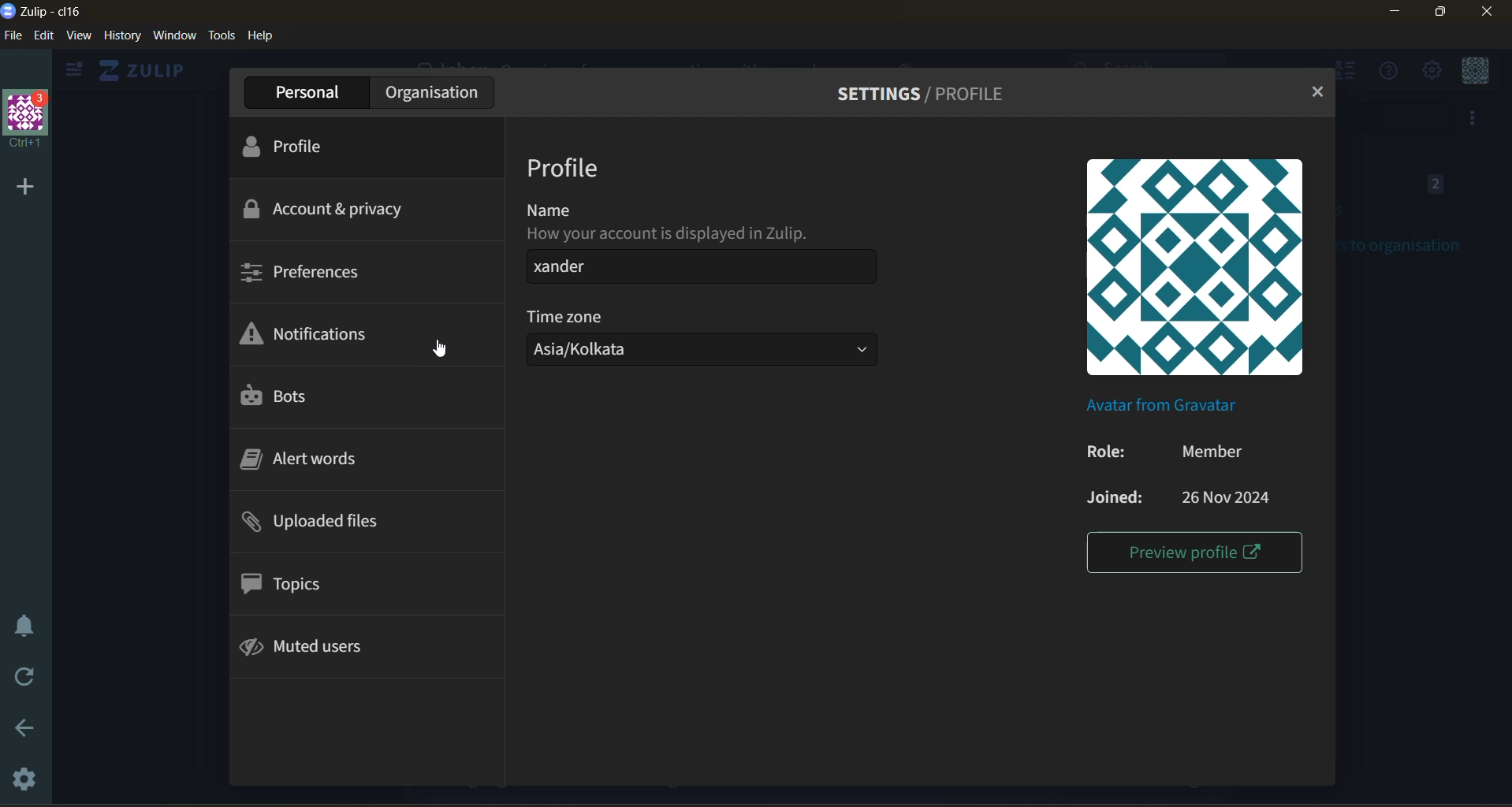 This screenshot has width=1512, height=807. What do you see at coordinates (299, 149) in the screenshot?
I see `profile` at bounding box center [299, 149].